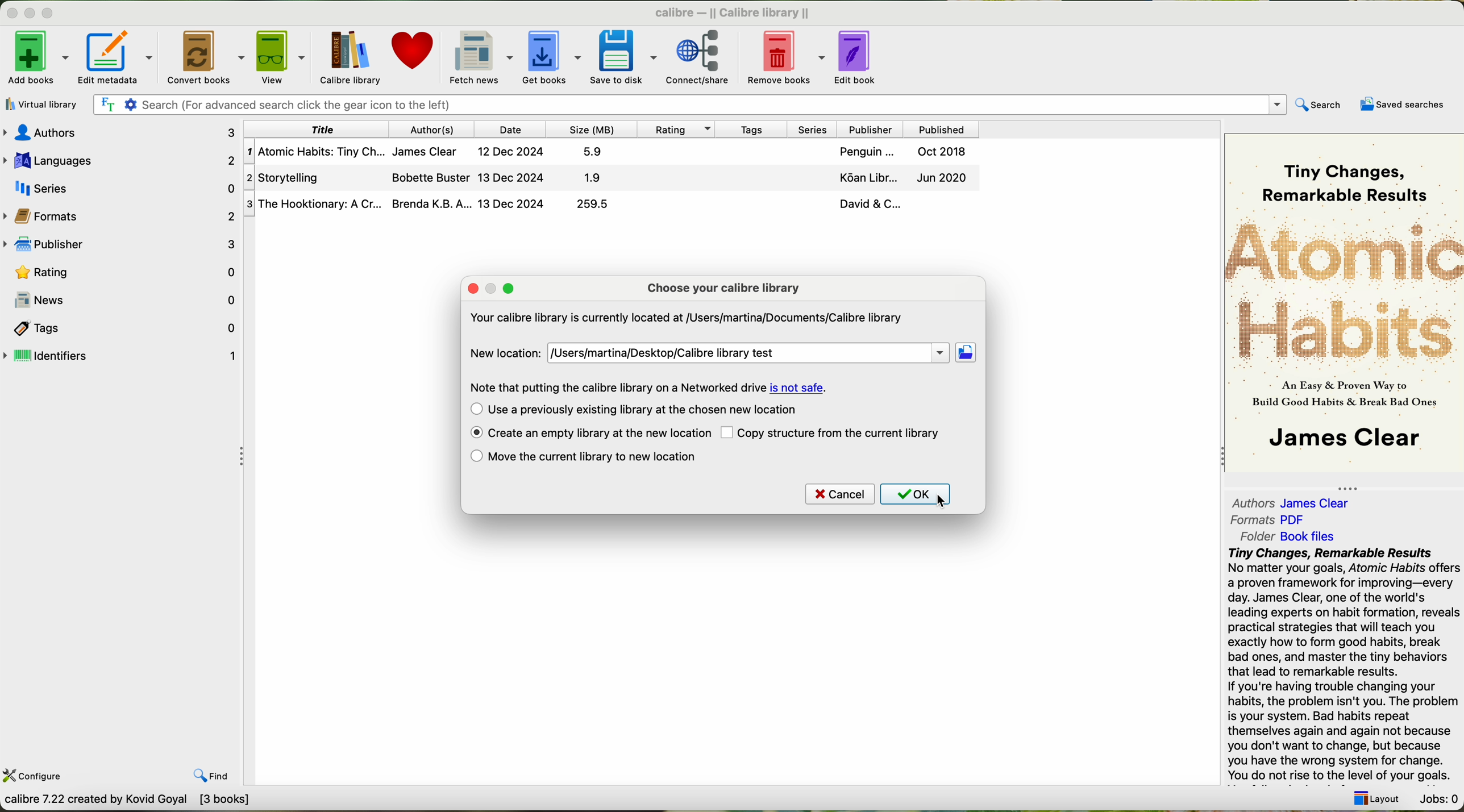  What do you see at coordinates (510, 129) in the screenshot?
I see `date` at bounding box center [510, 129].